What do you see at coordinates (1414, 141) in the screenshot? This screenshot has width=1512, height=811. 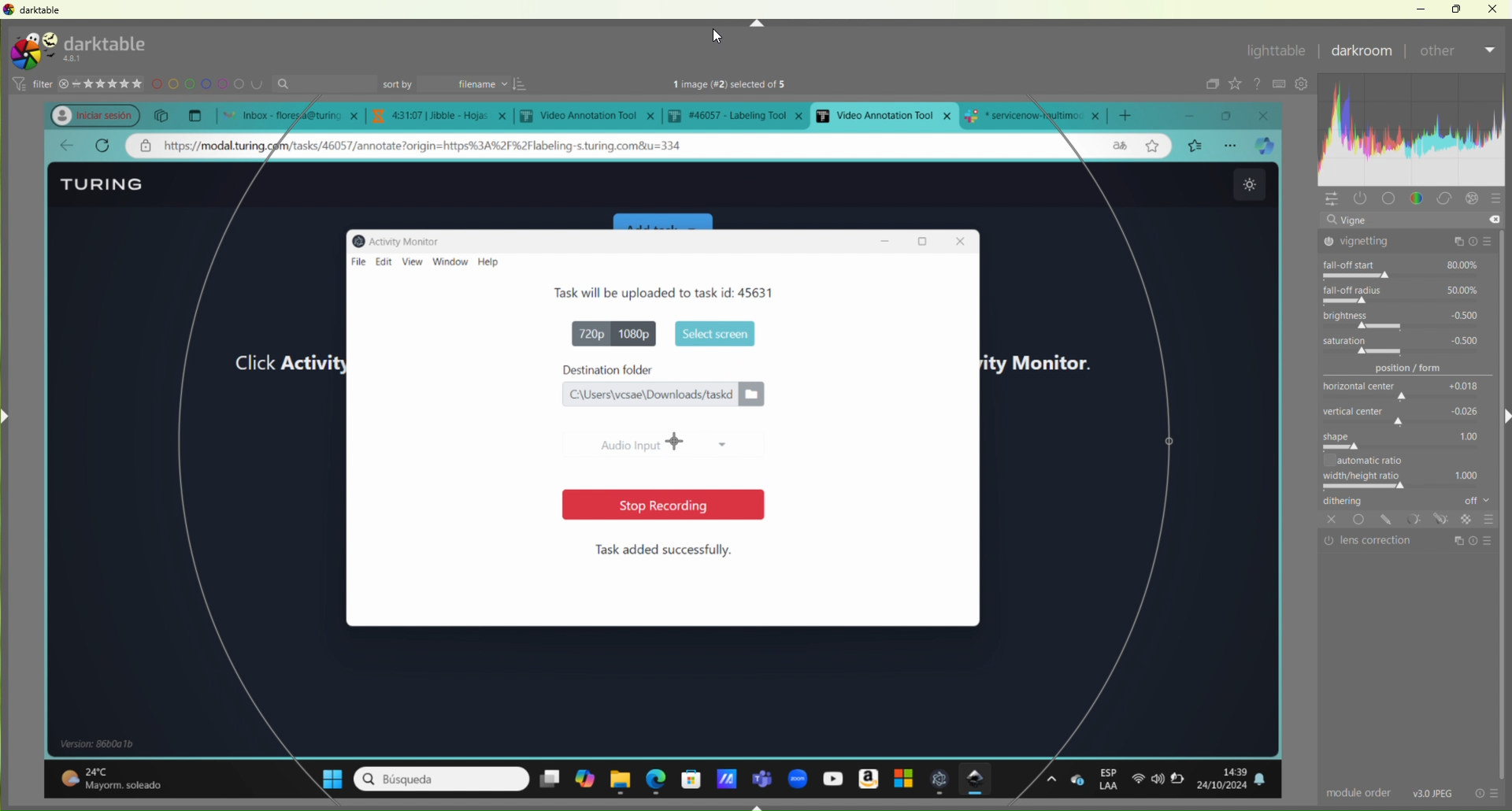 I see `customization` at bounding box center [1414, 141].